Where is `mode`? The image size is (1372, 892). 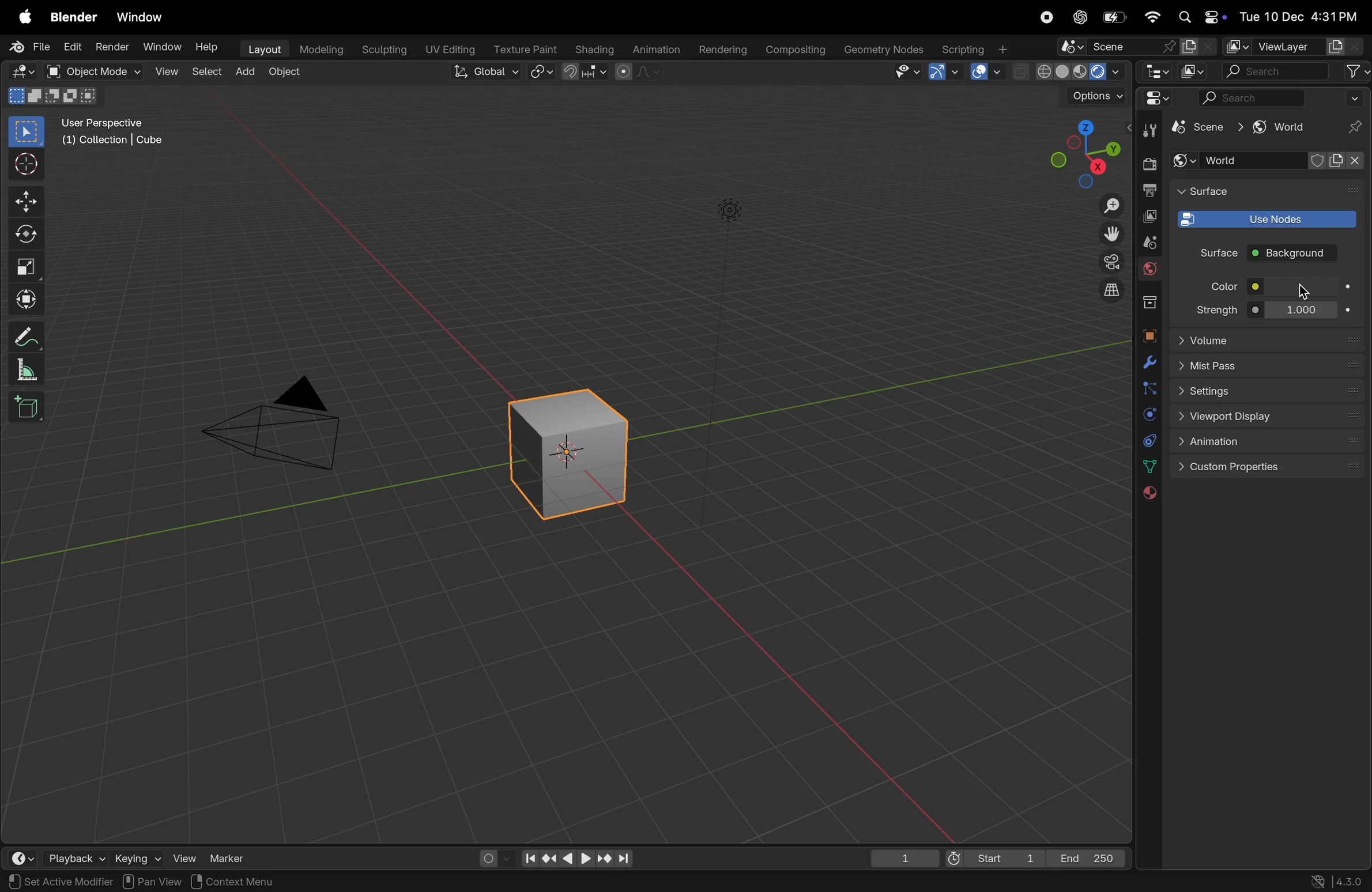 mode is located at coordinates (51, 97).